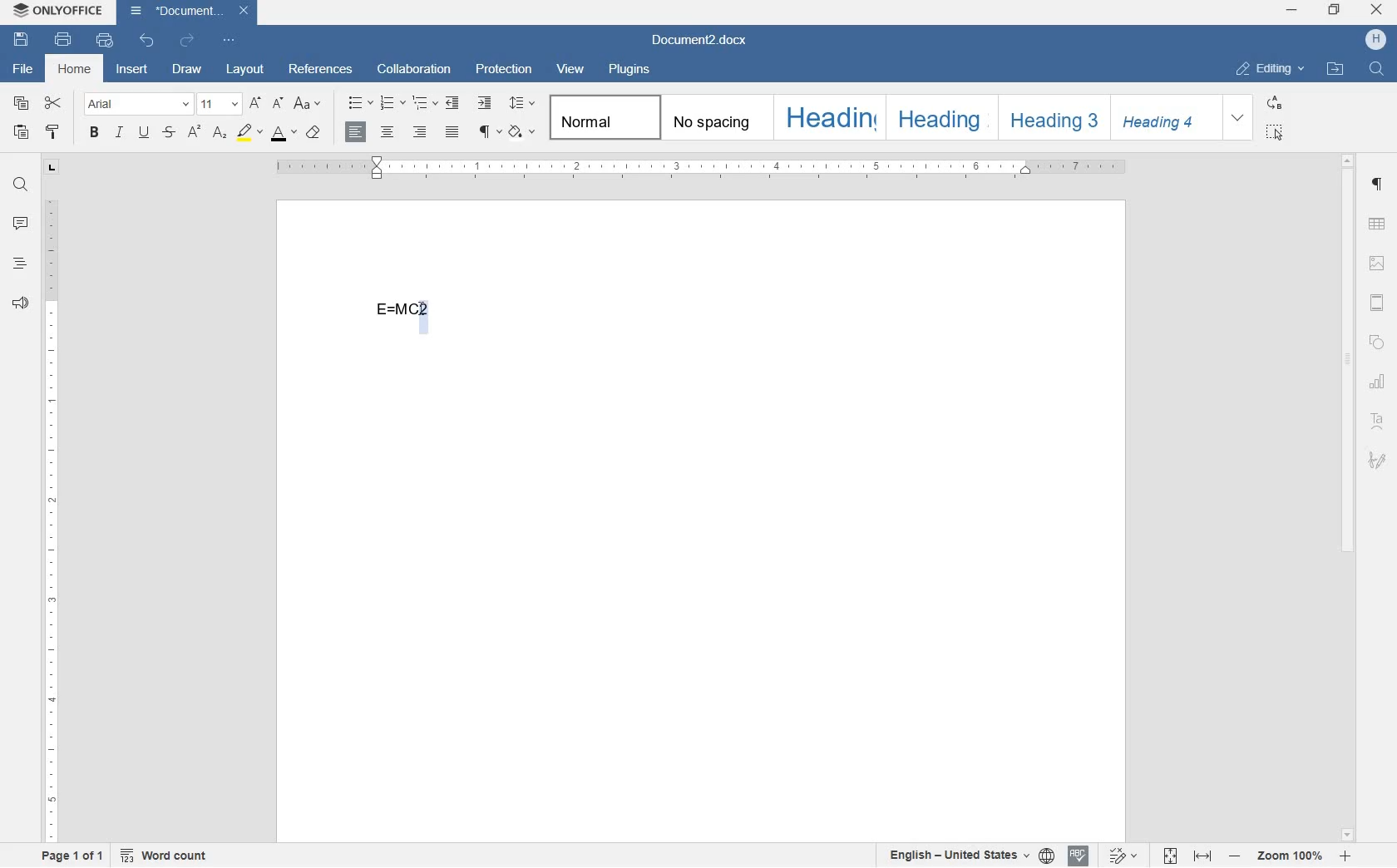 This screenshot has width=1397, height=868. Describe the element at coordinates (507, 70) in the screenshot. I see `protection` at that location.